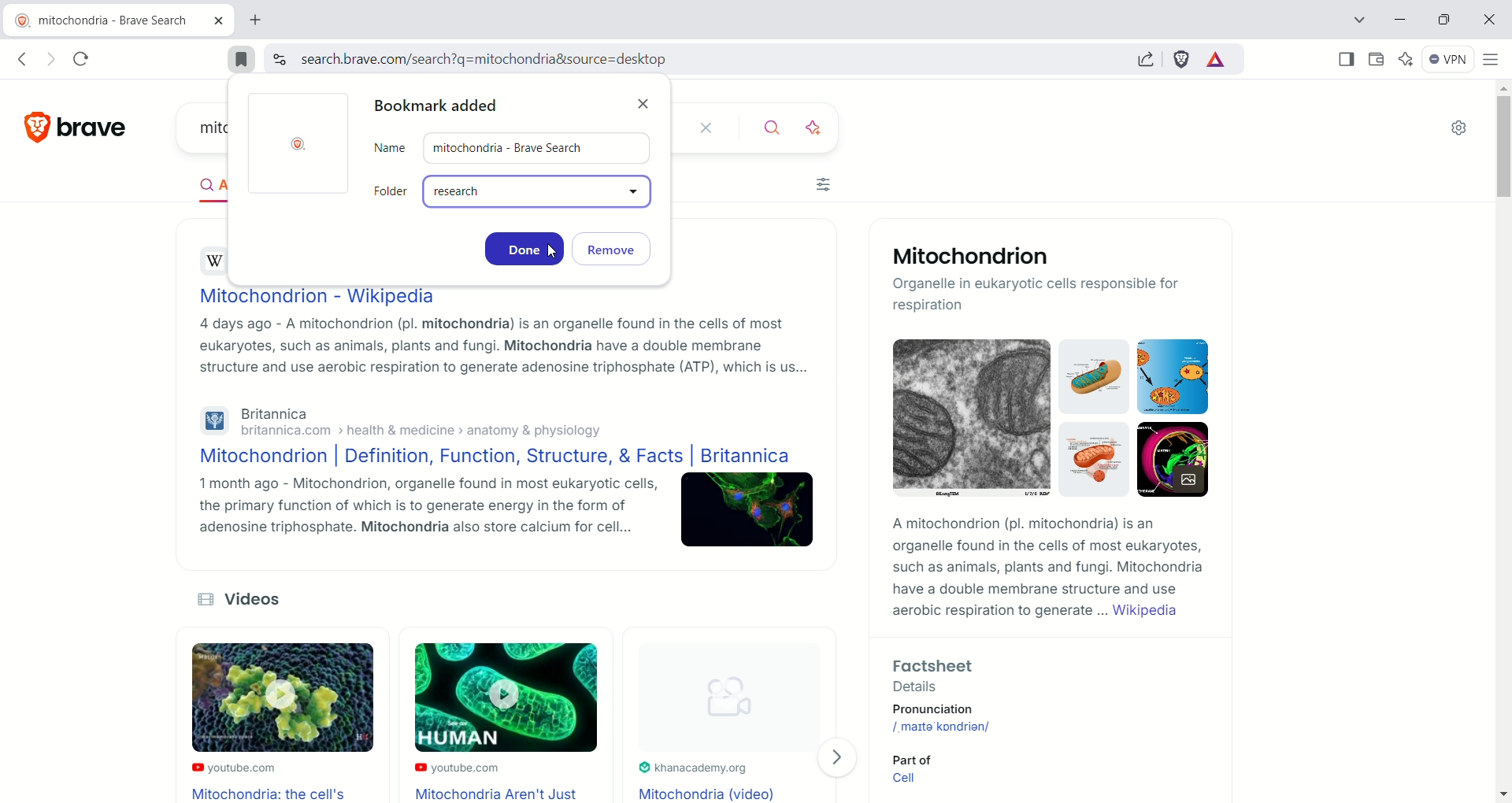  What do you see at coordinates (258, 22) in the screenshot?
I see `new tab` at bounding box center [258, 22].